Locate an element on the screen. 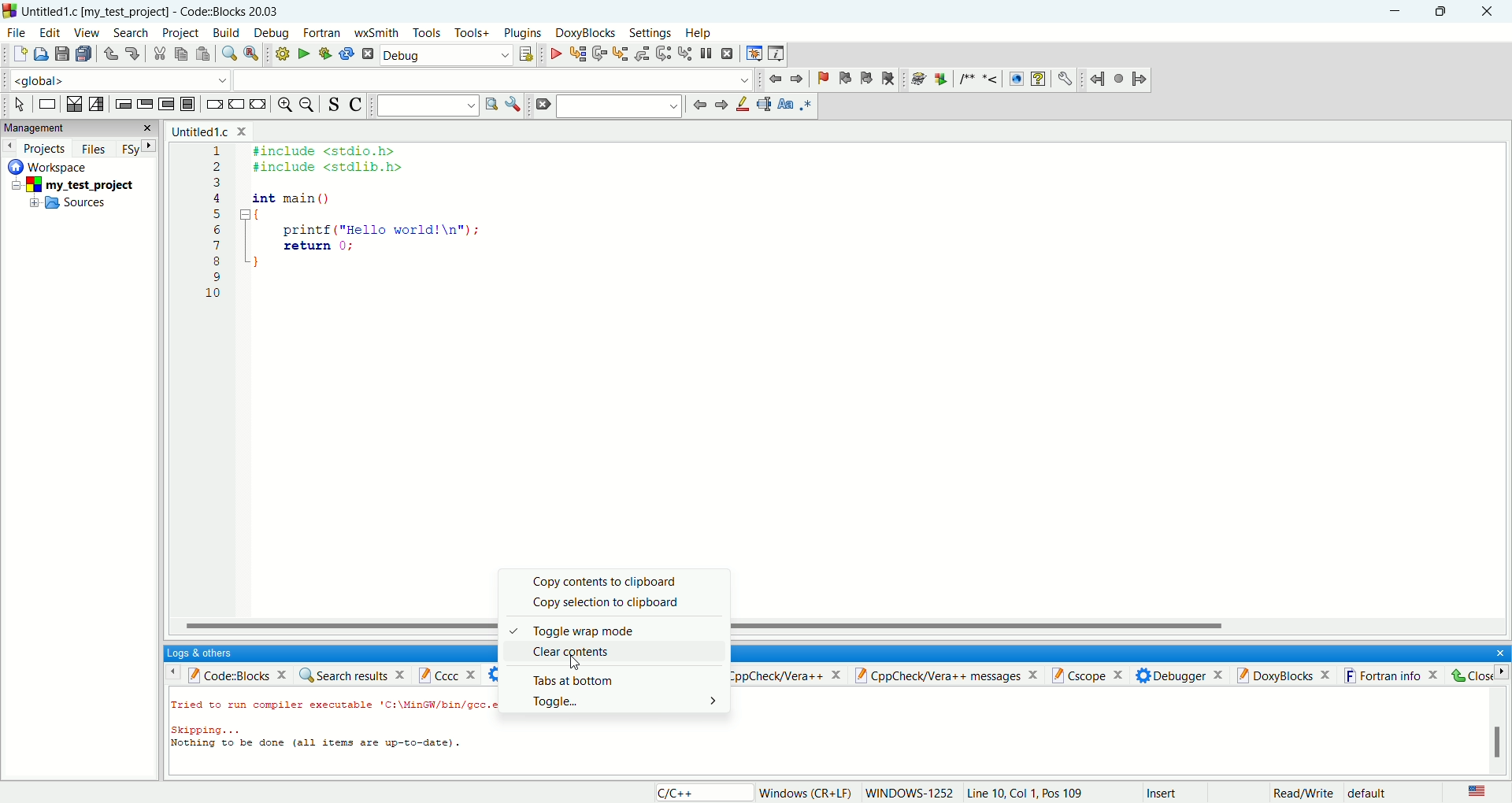 This screenshot has height=803, width=1512. instruction is located at coordinates (46, 104).